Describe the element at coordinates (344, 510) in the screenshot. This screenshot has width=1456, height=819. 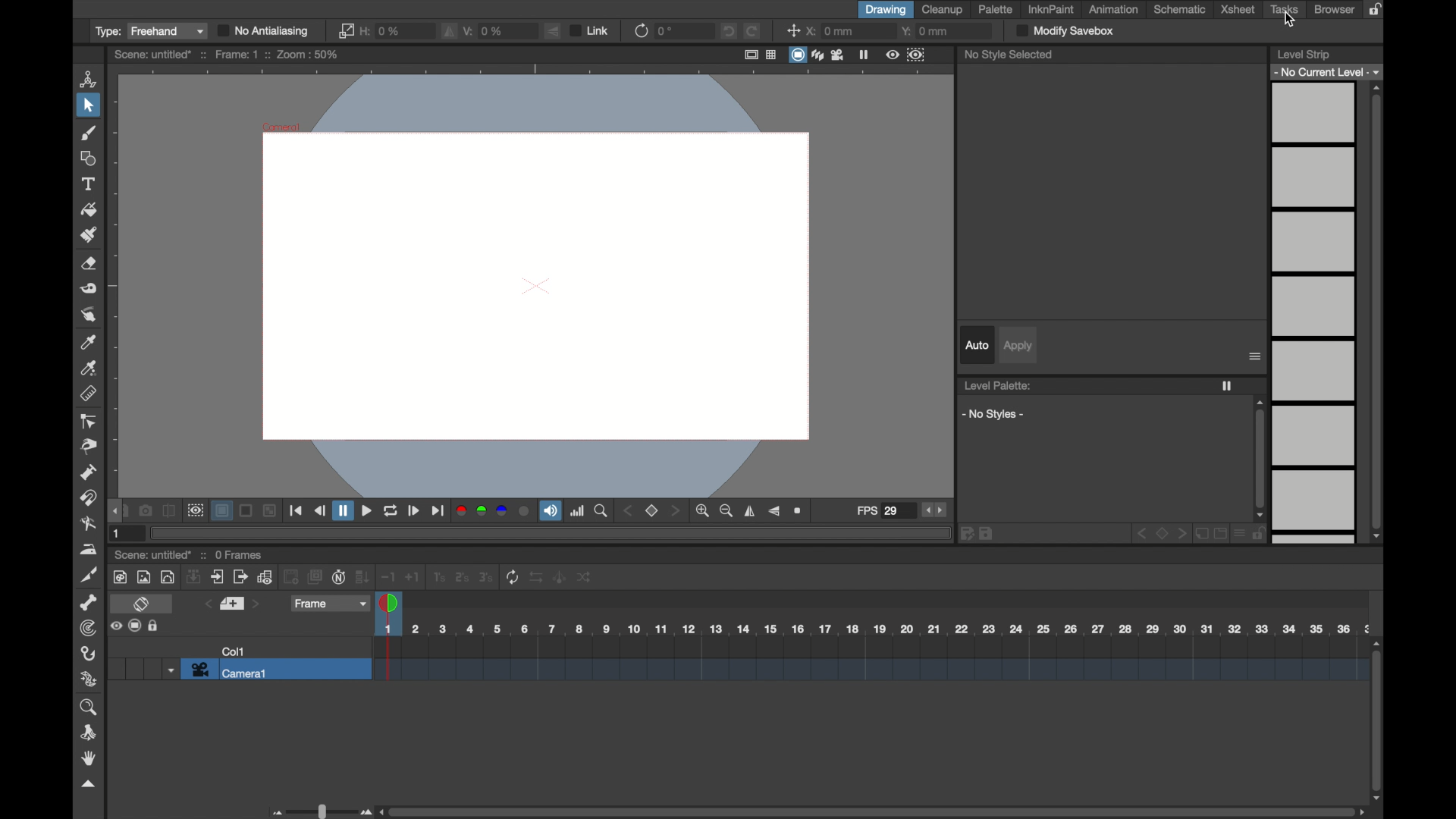
I see `pause` at that location.